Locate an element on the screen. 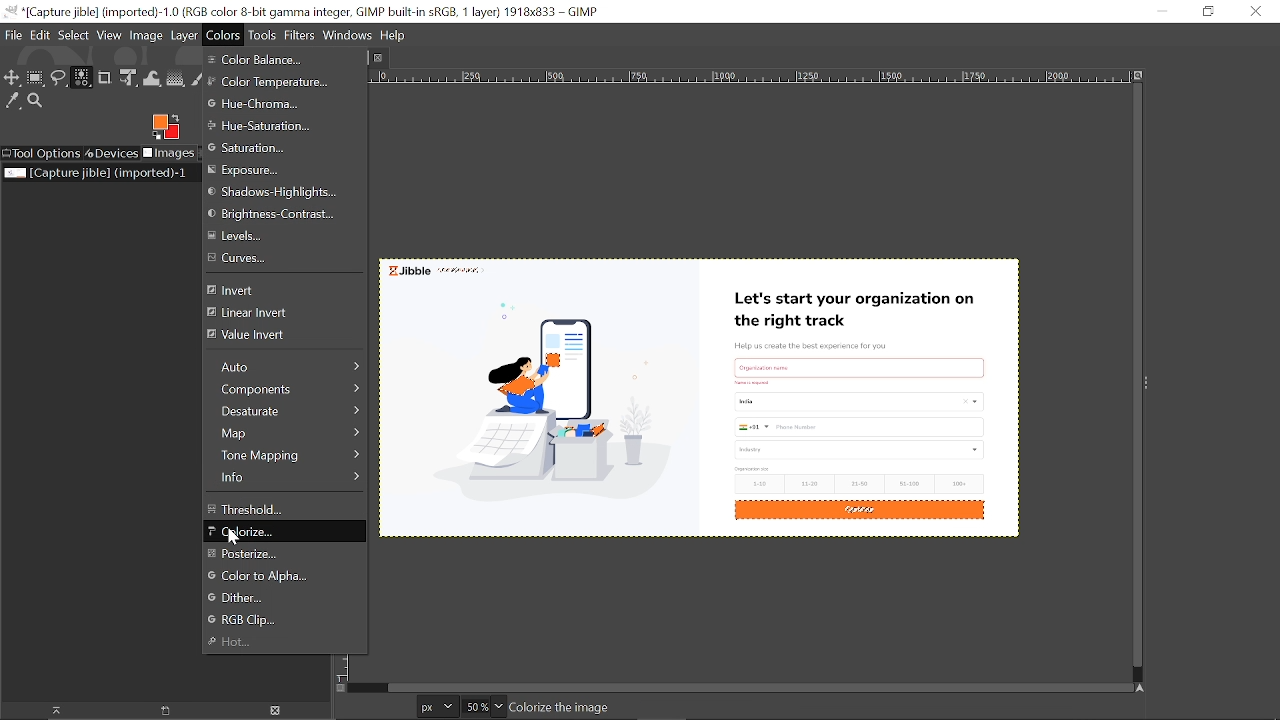  eraser  tool is located at coordinates (199, 79).